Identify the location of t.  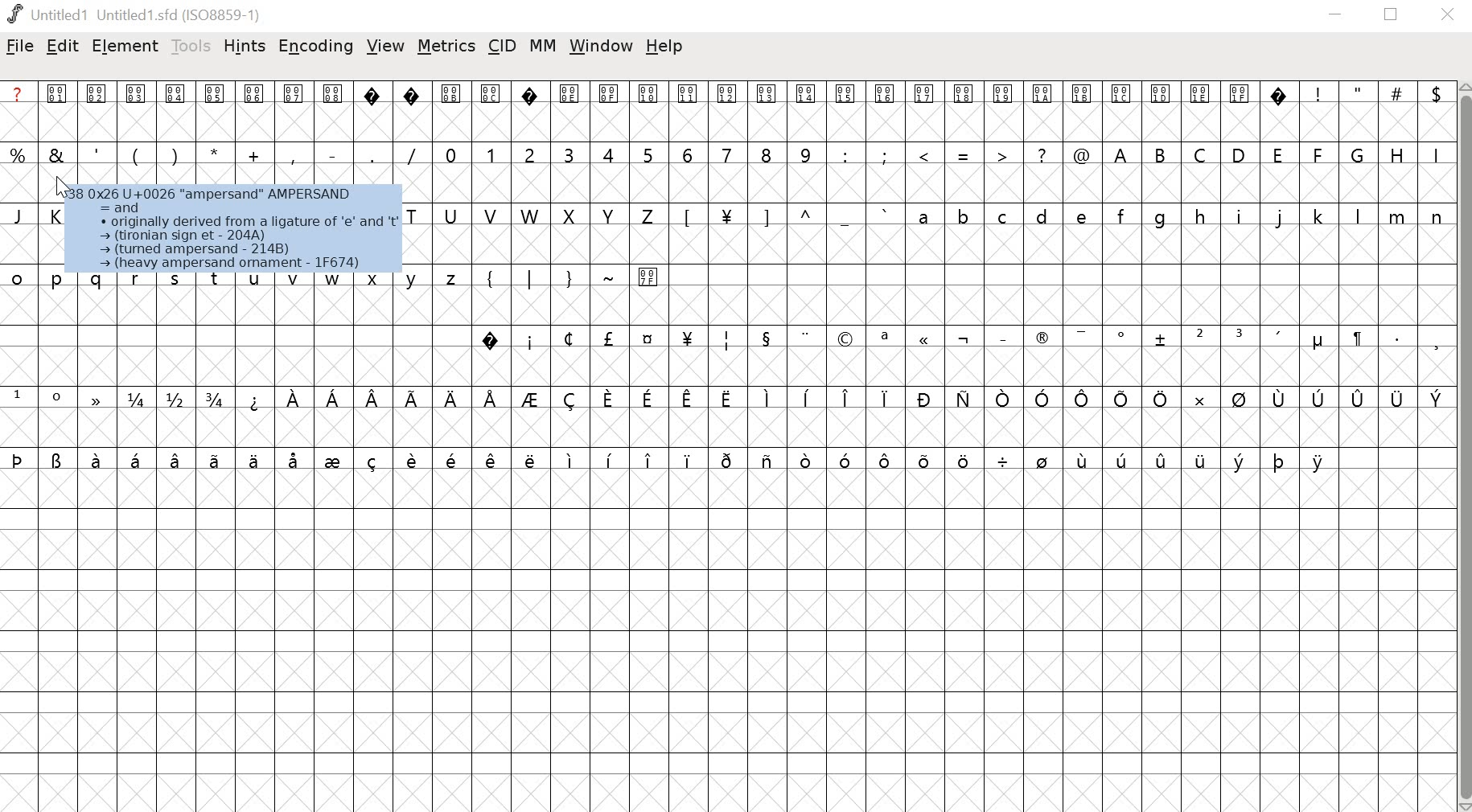
(216, 278).